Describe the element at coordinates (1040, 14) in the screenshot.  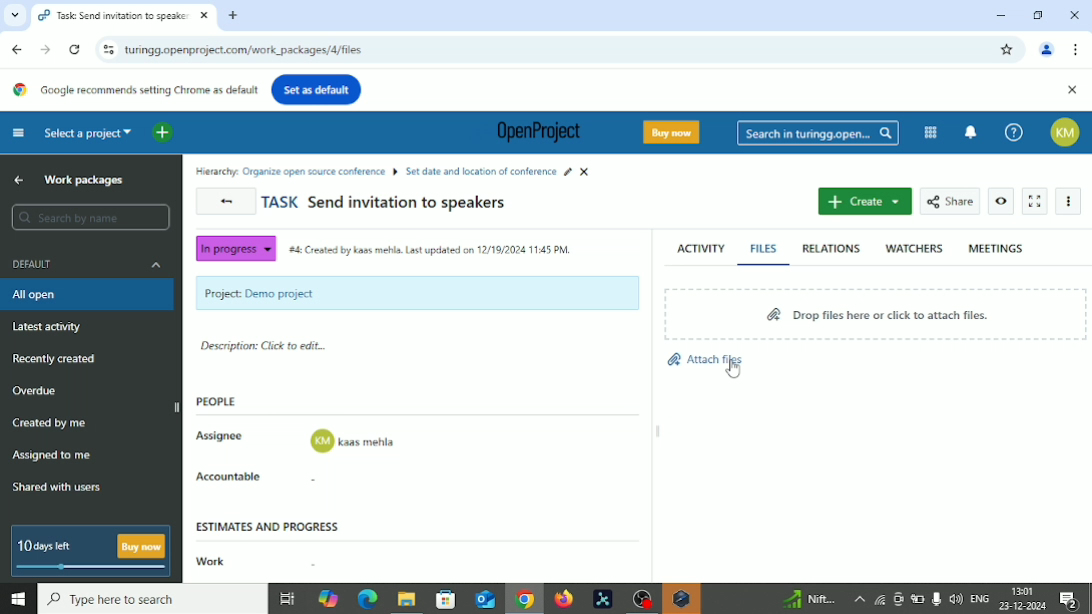
I see `Restore down` at that location.